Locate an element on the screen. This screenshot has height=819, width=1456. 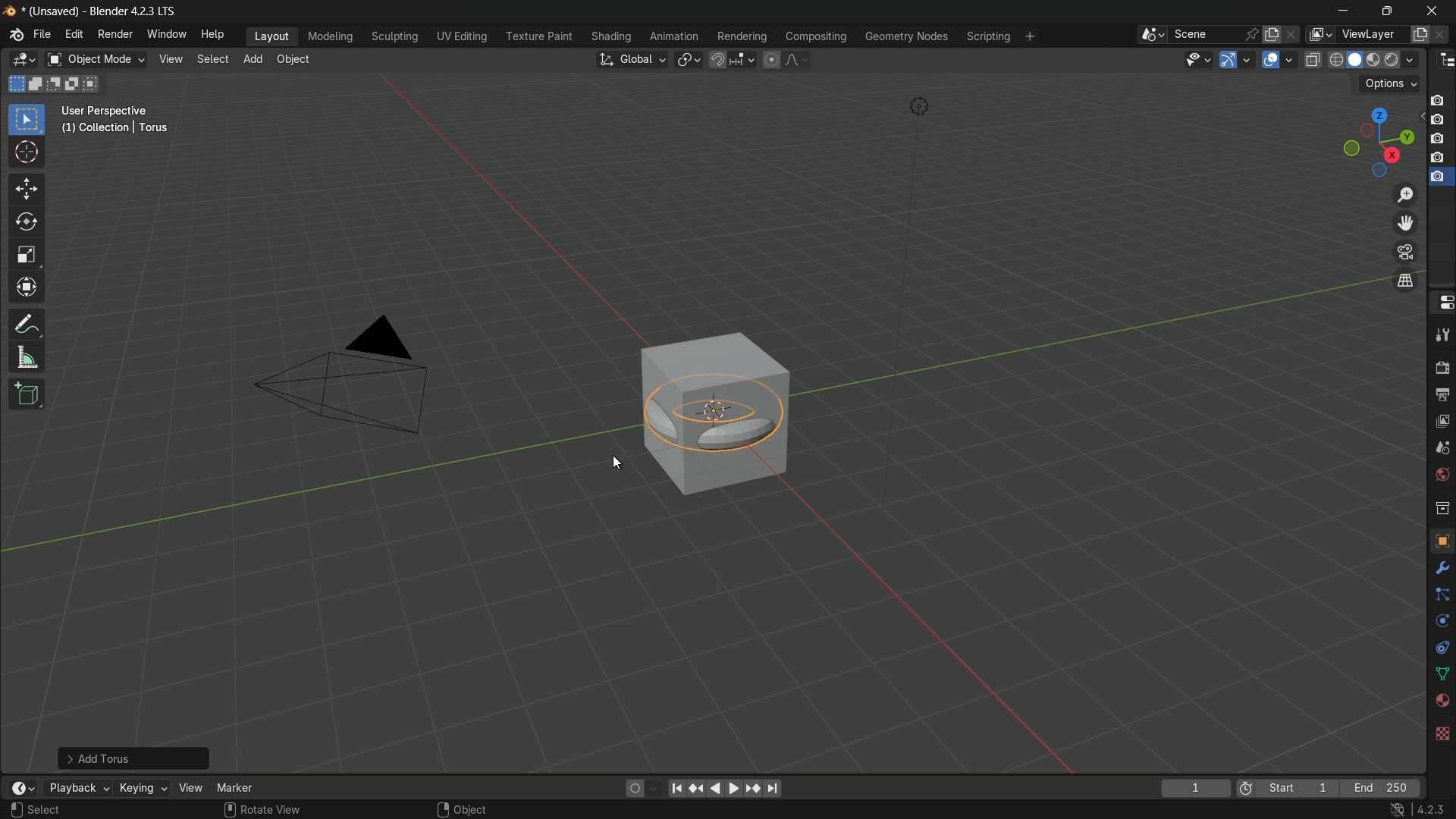
jump to endpoint is located at coordinates (774, 789).